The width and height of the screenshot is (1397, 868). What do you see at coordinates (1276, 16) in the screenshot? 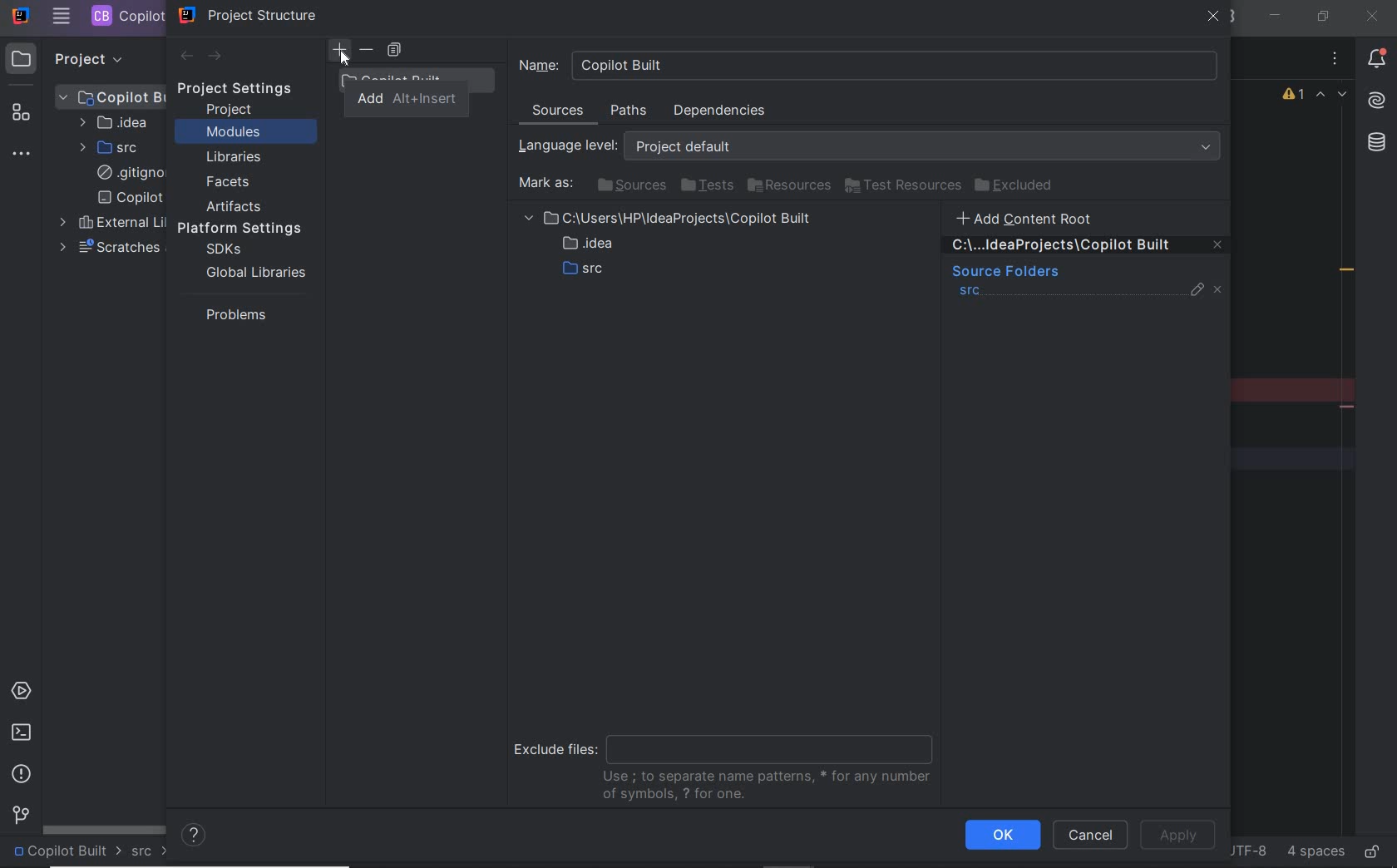
I see `minimize` at bounding box center [1276, 16].